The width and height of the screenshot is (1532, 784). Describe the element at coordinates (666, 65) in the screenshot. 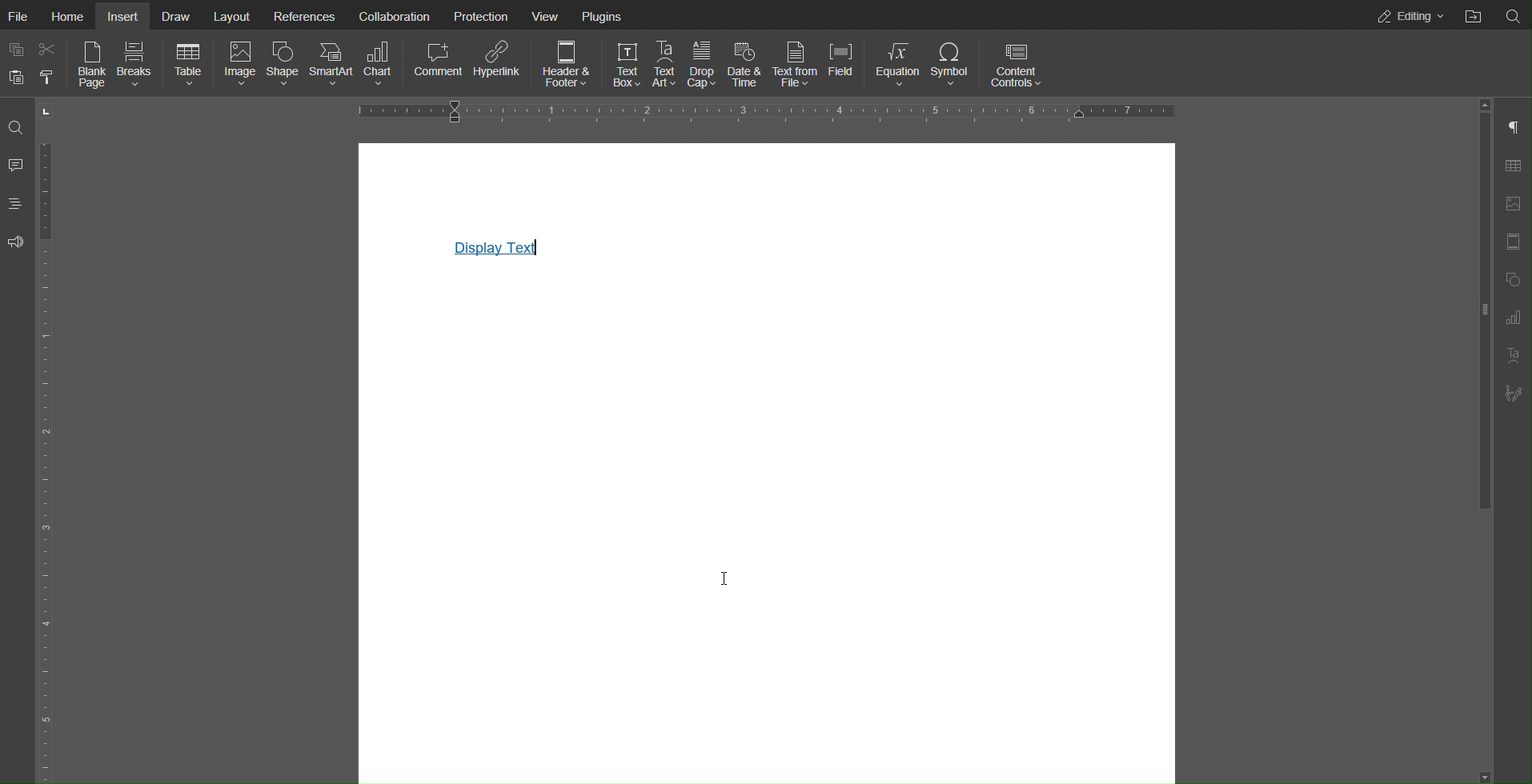

I see `Text Art` at that location.